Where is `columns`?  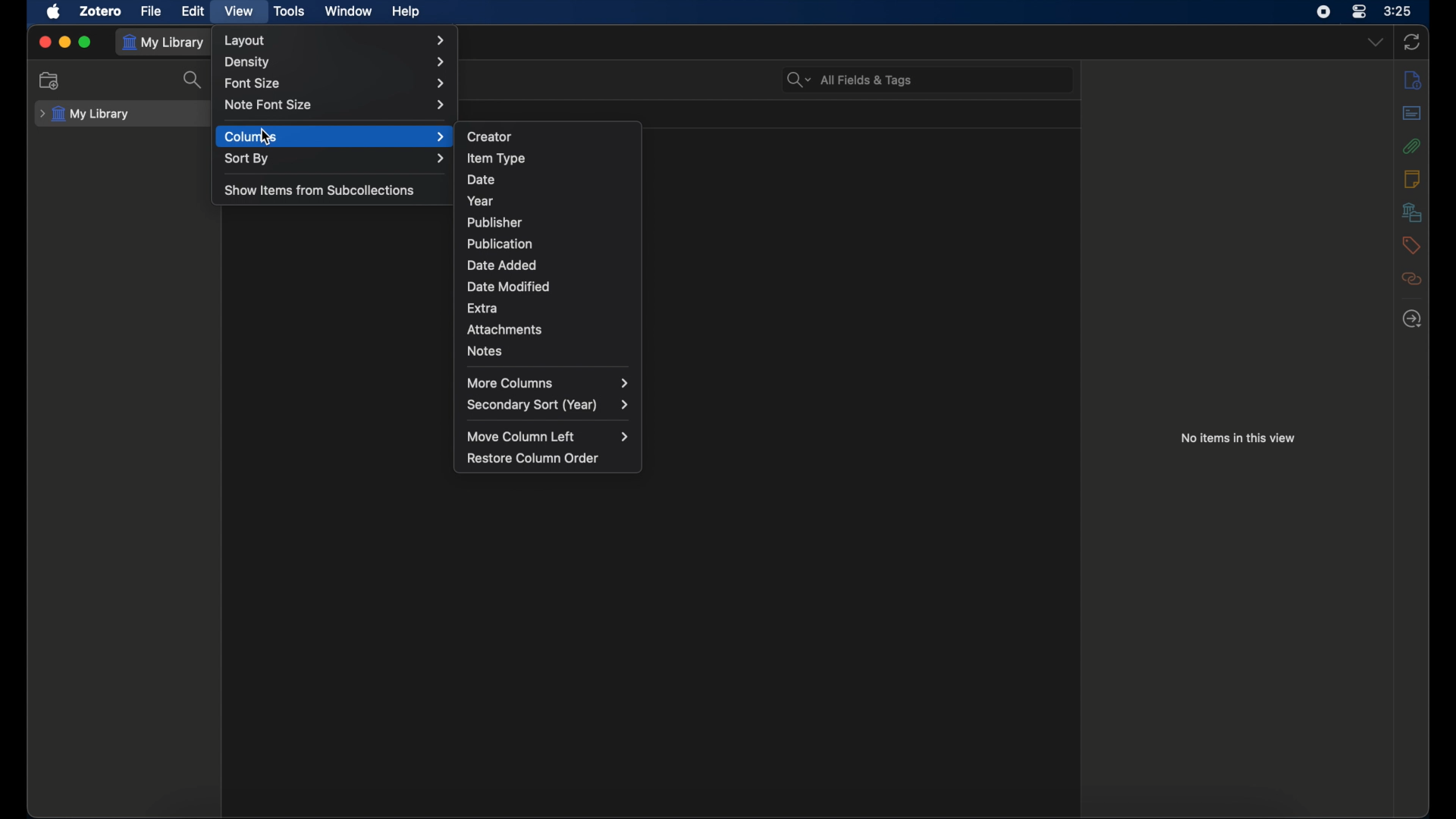 columns is located at coordinates (336, 136).